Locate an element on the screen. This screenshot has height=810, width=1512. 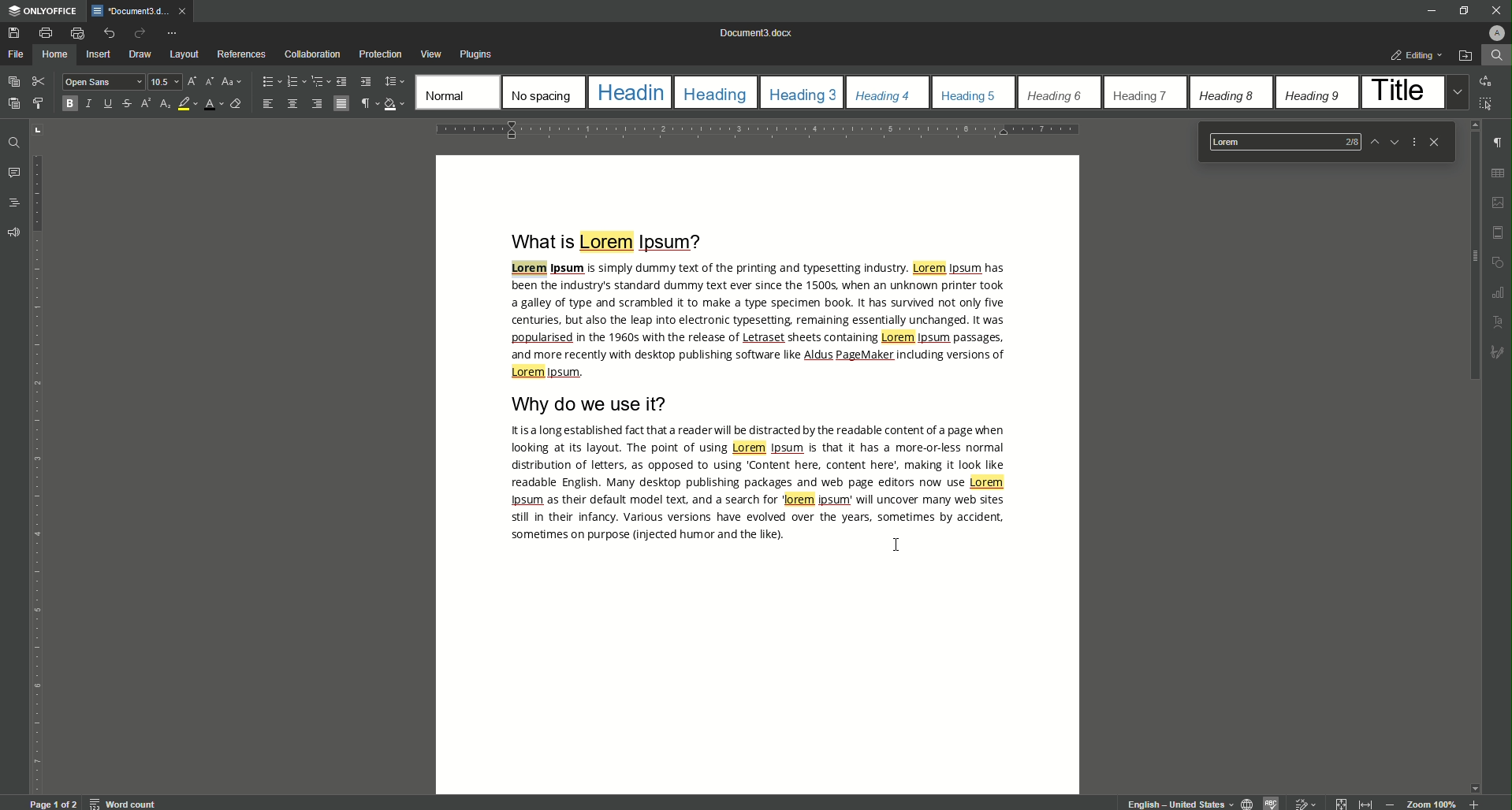
Text uppercase is located at coordinates (1501, 322).